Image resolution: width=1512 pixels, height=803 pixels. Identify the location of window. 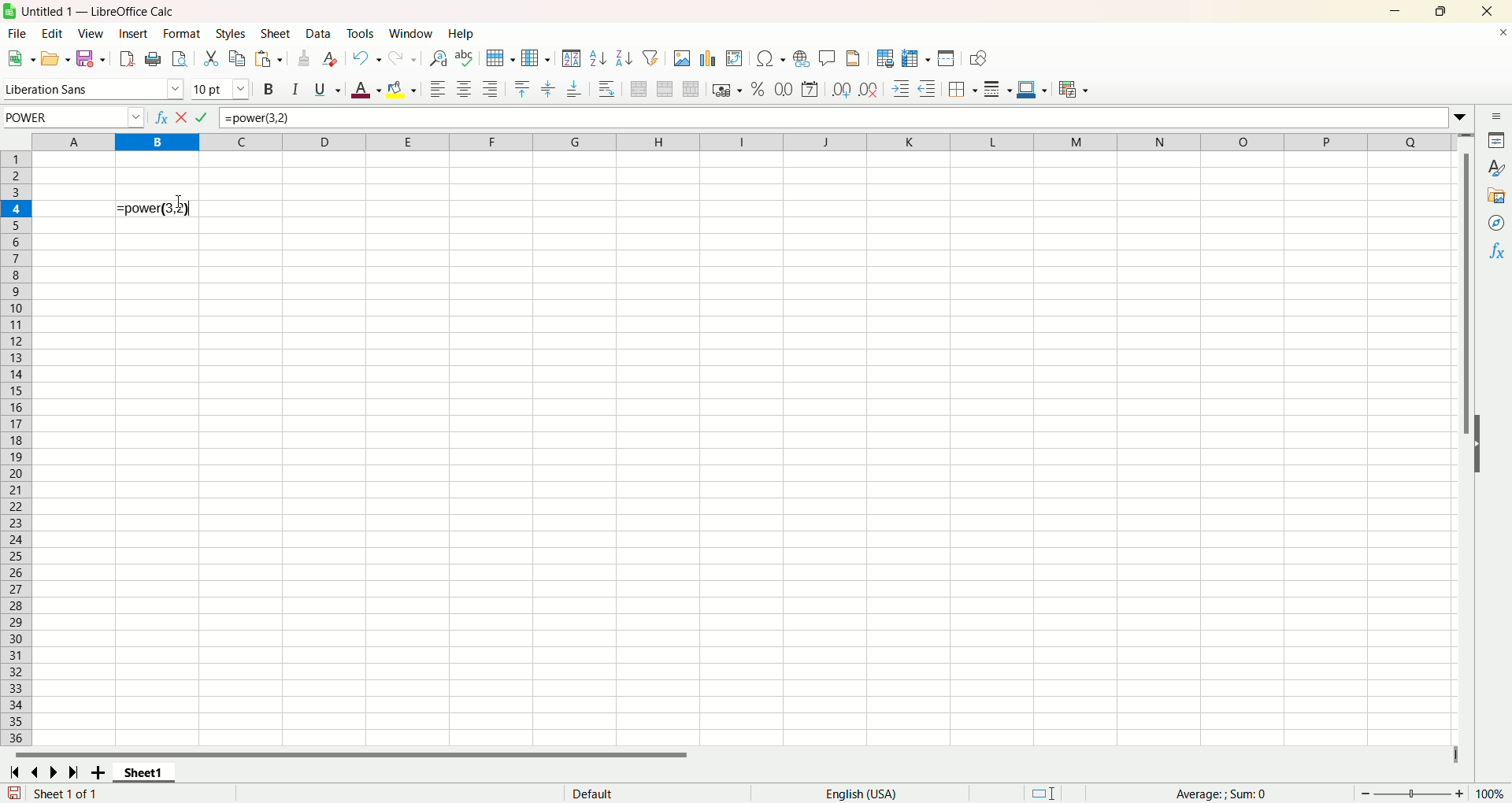
(412, 34).